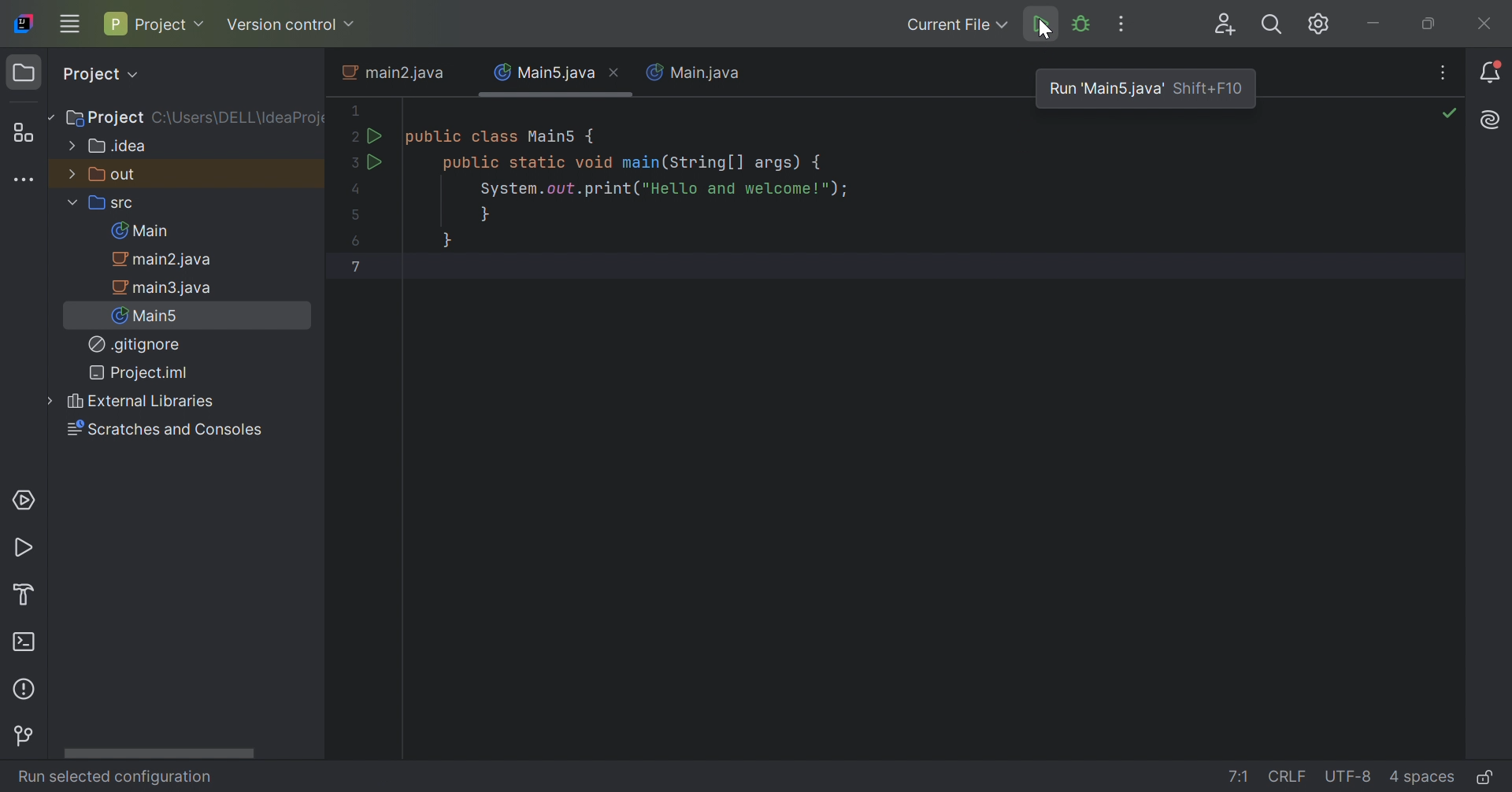 This screenshot has height=792, width=1512. What do you see at coordinates (1488, 24) in the screenshot?
I see `Close` at bounding box center [1488, 24].